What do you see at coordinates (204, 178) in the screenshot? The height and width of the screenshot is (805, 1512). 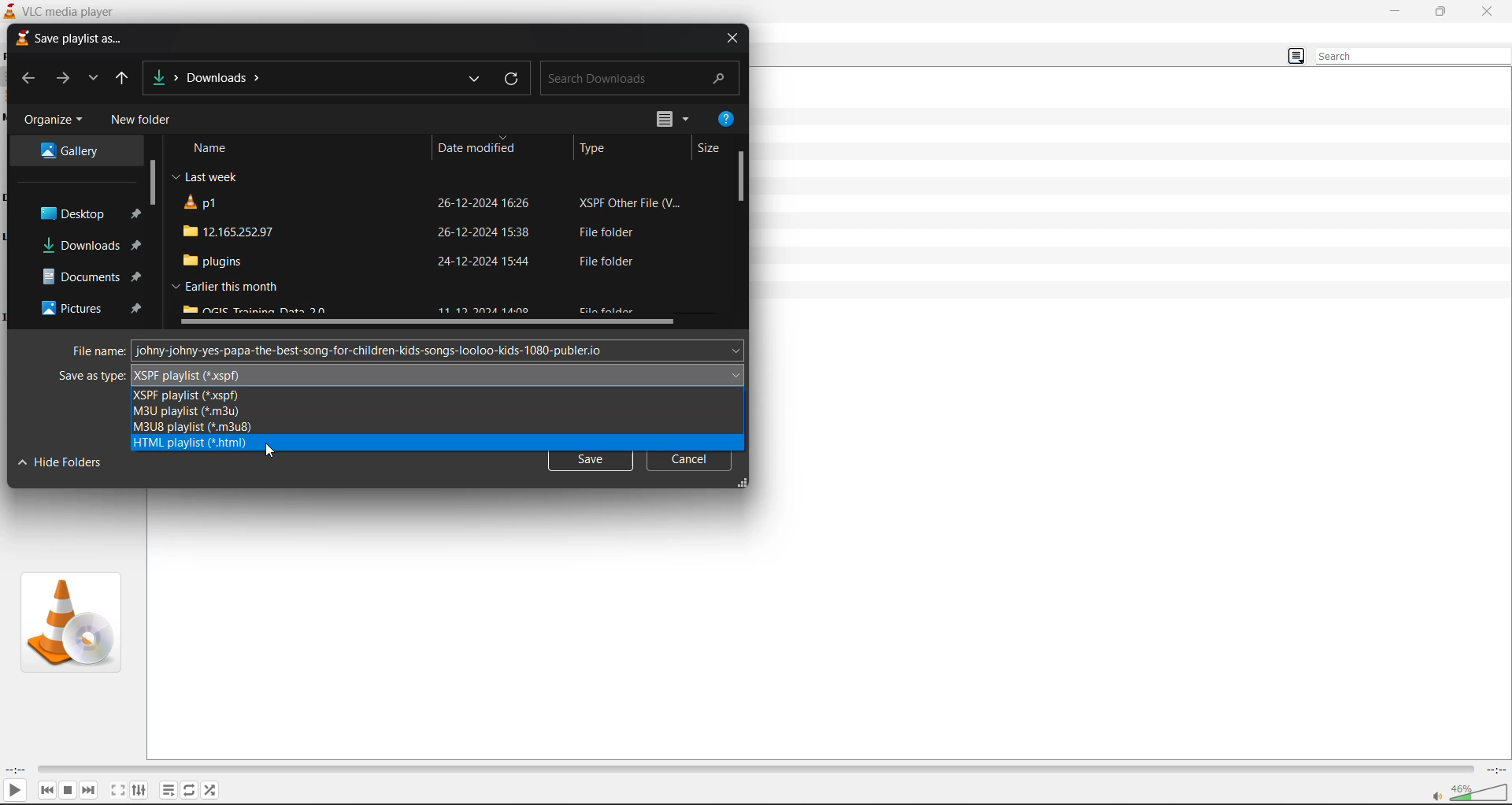 I see `Last week` at bounding box center [204, 178].